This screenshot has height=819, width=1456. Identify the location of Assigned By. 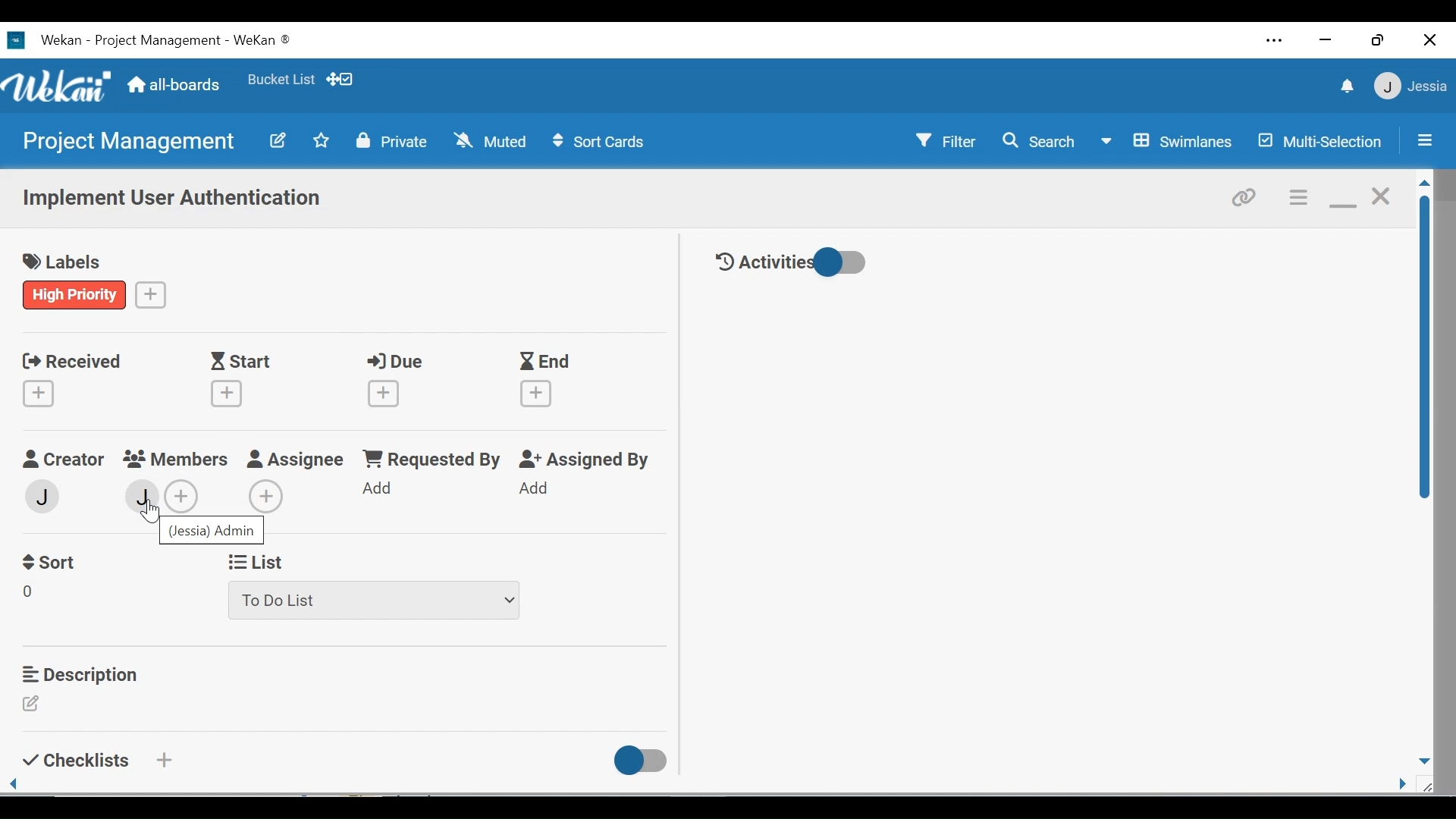
(585, 460).